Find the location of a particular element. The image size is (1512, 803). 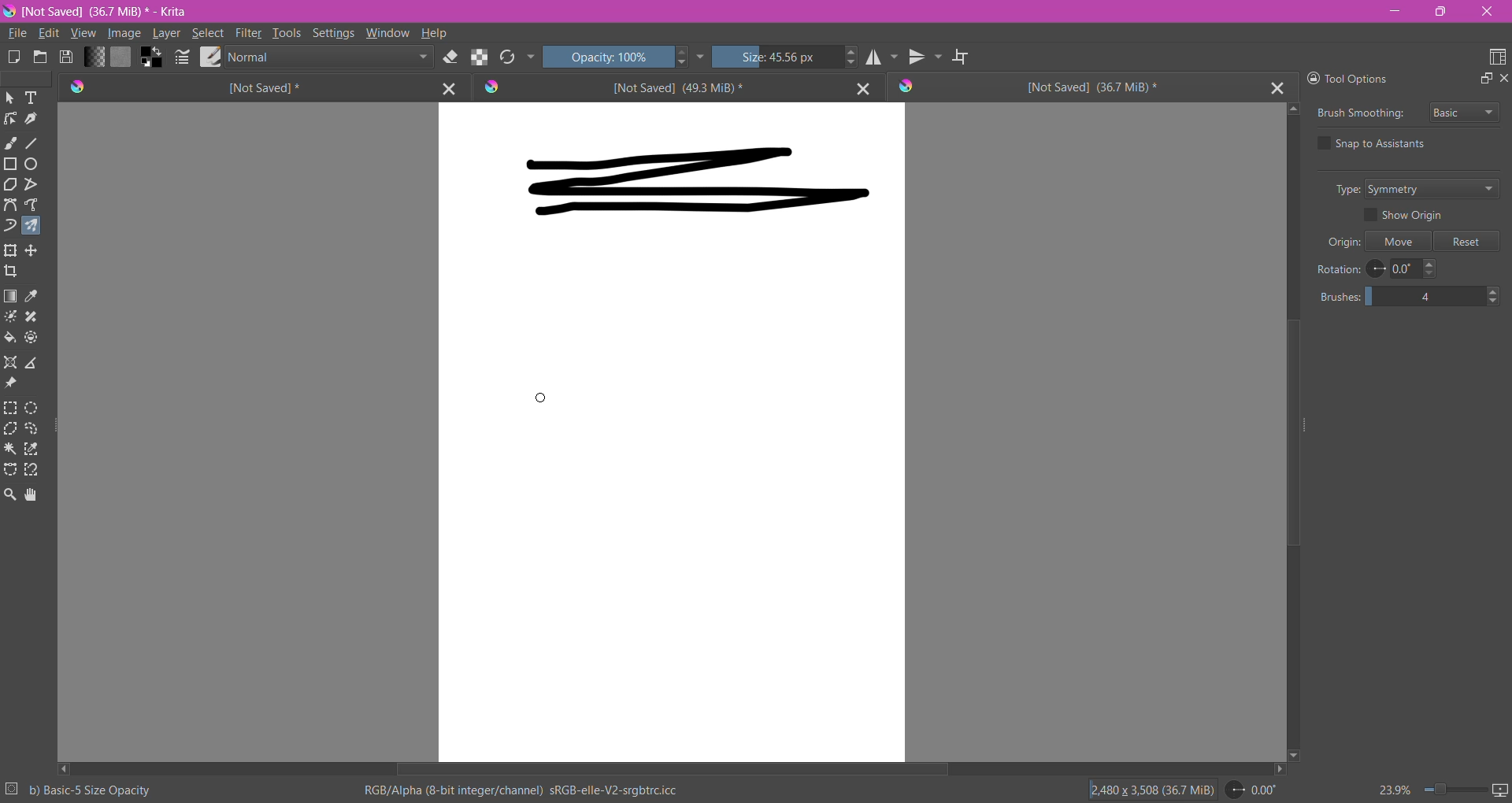

Line Tool is located at coordinates (33, 143).